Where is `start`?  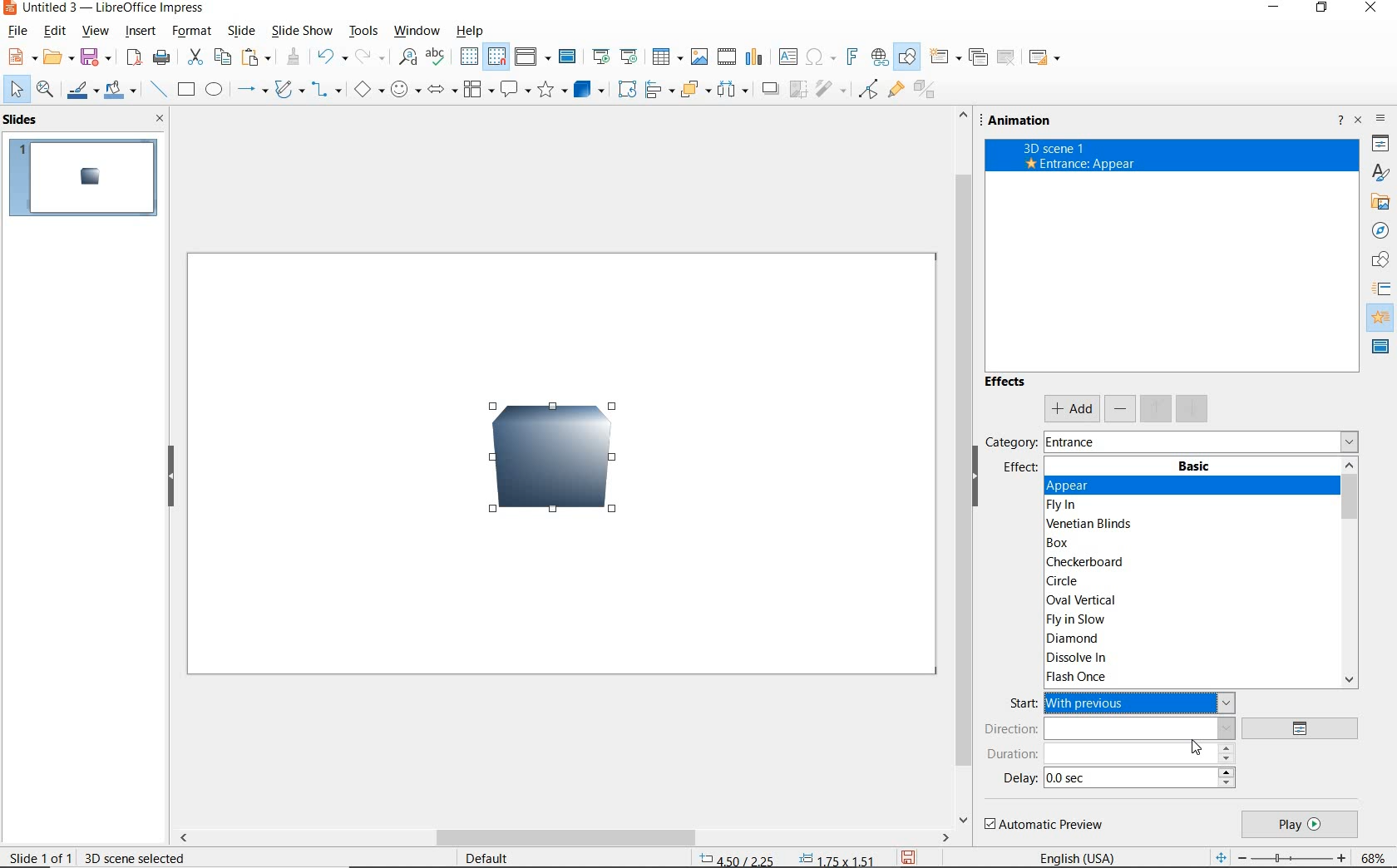
start is located at coordinates (1020, 703).